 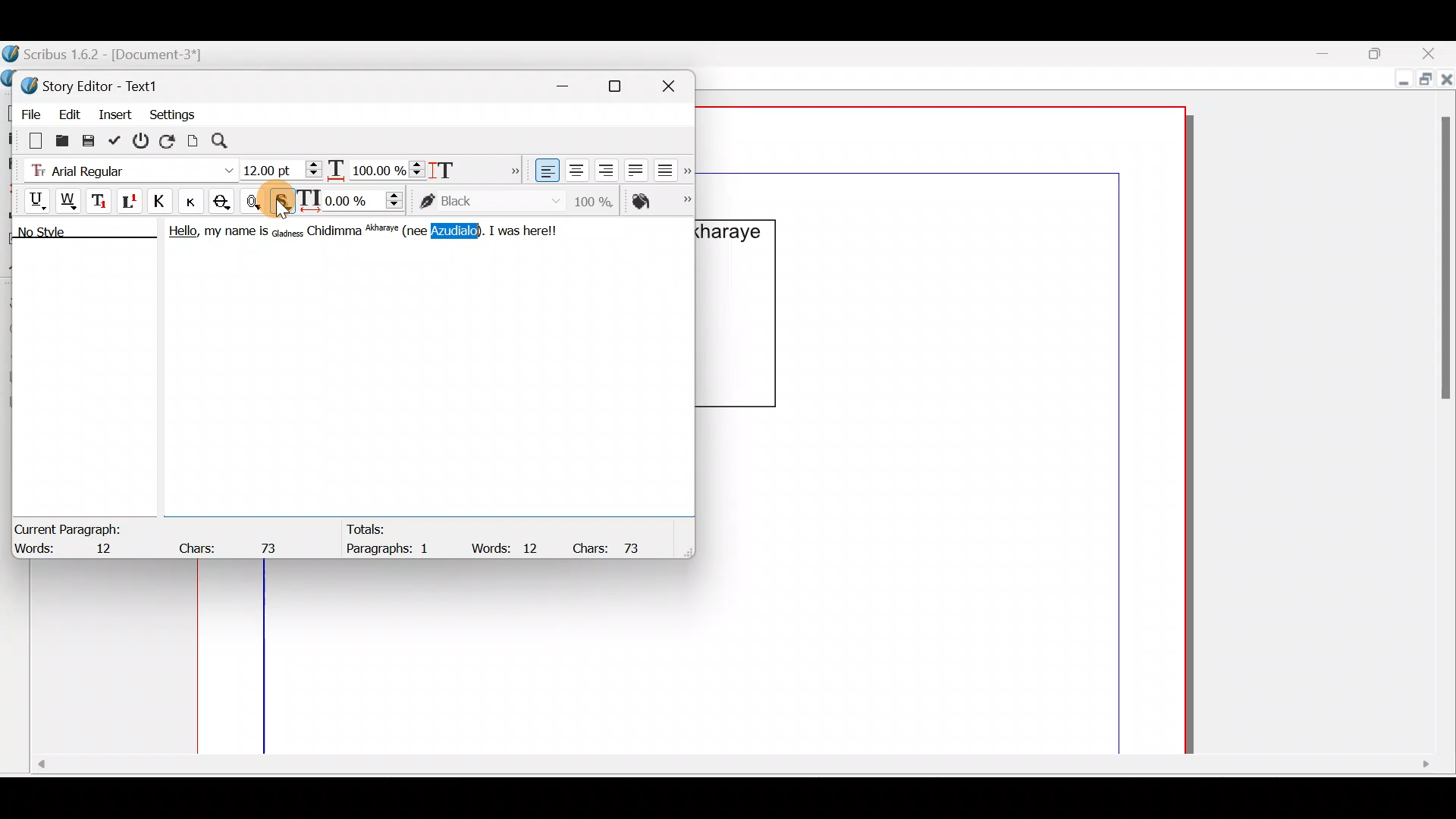 What do you see at coordinates (61, 140) in the screenshot?
I see `Load from file` at bounding box center [61, 140].